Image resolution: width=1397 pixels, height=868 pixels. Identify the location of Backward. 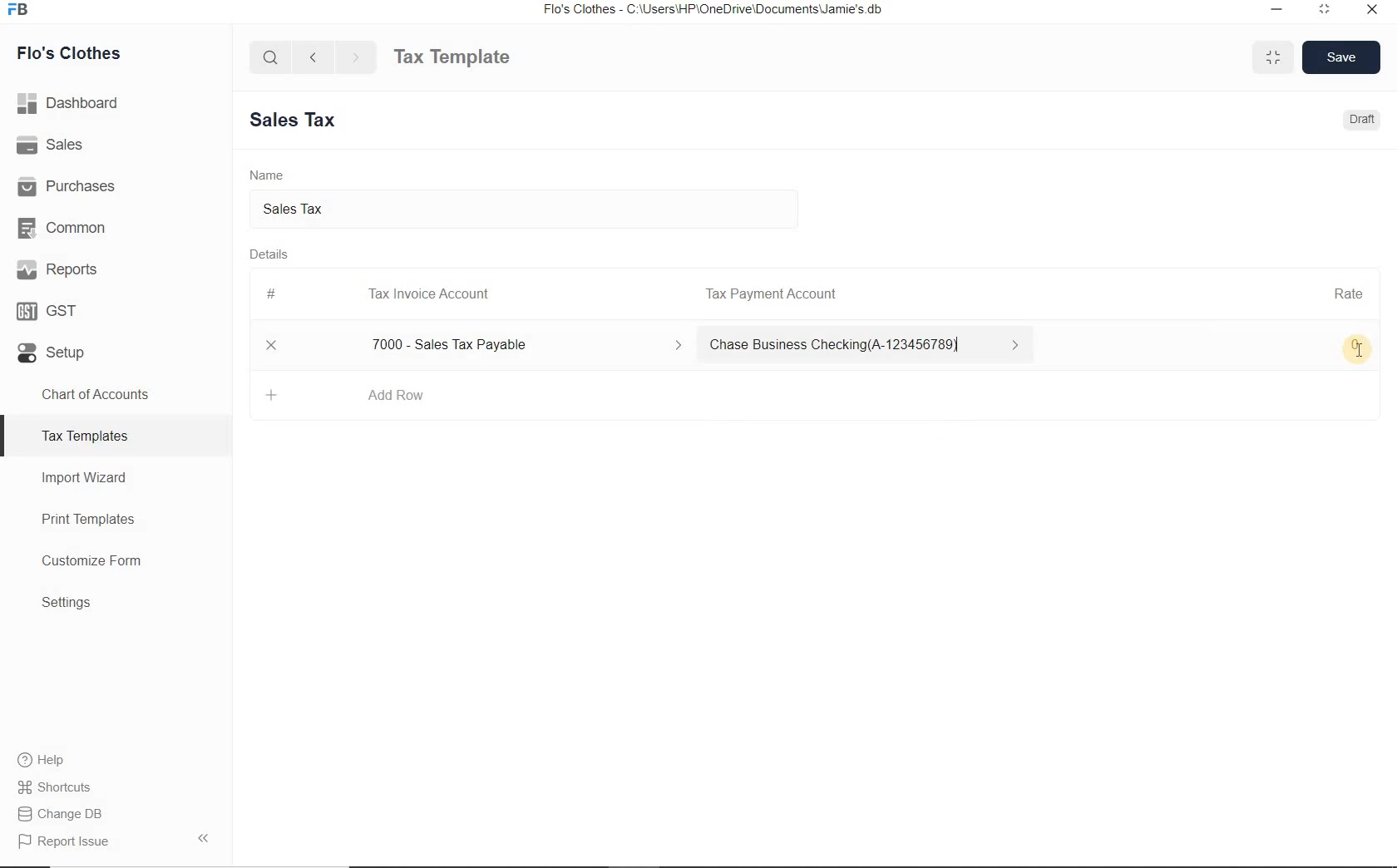
(313, 56).